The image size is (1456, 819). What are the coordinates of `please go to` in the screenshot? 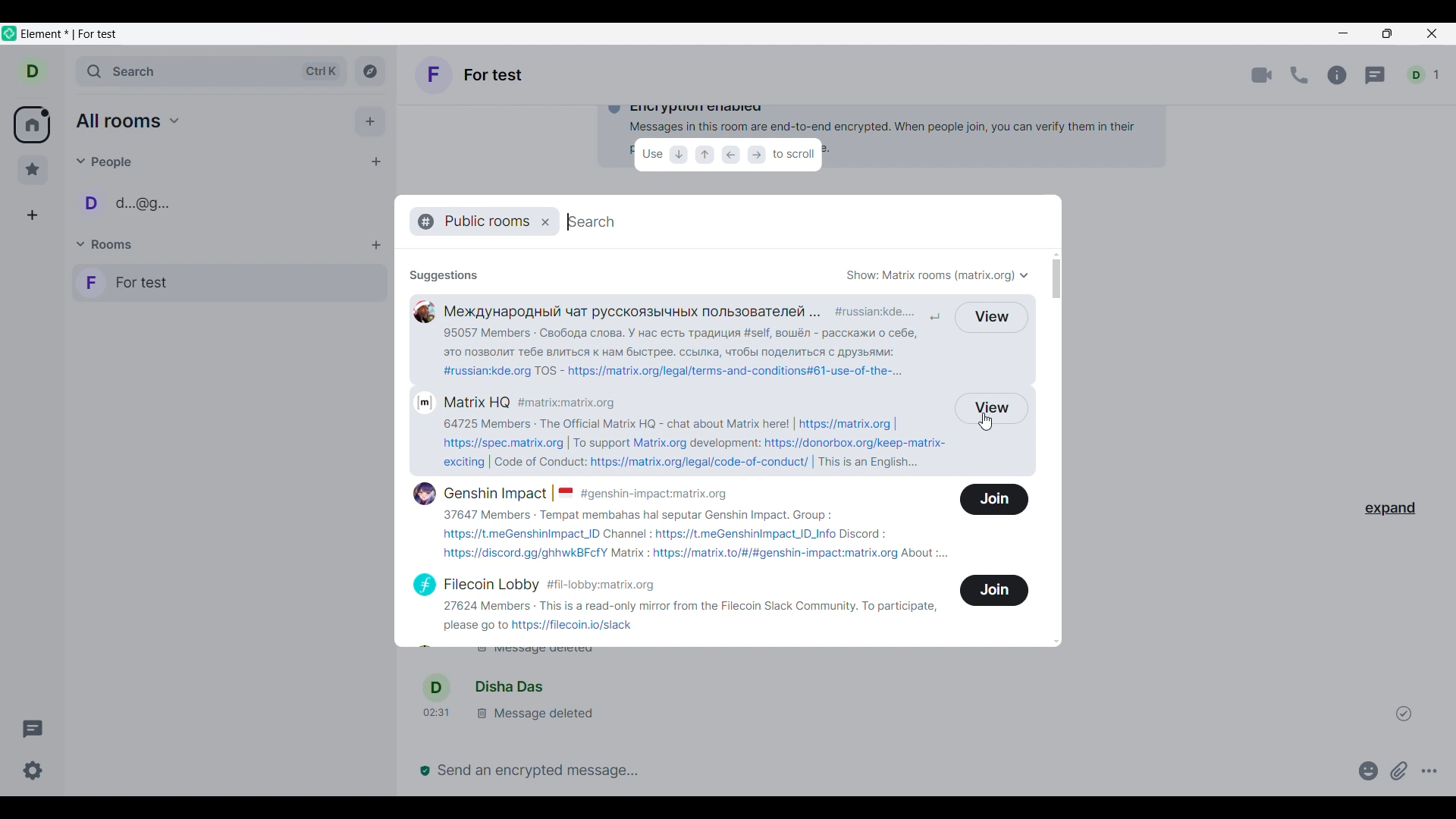 It's located at (472, 628).